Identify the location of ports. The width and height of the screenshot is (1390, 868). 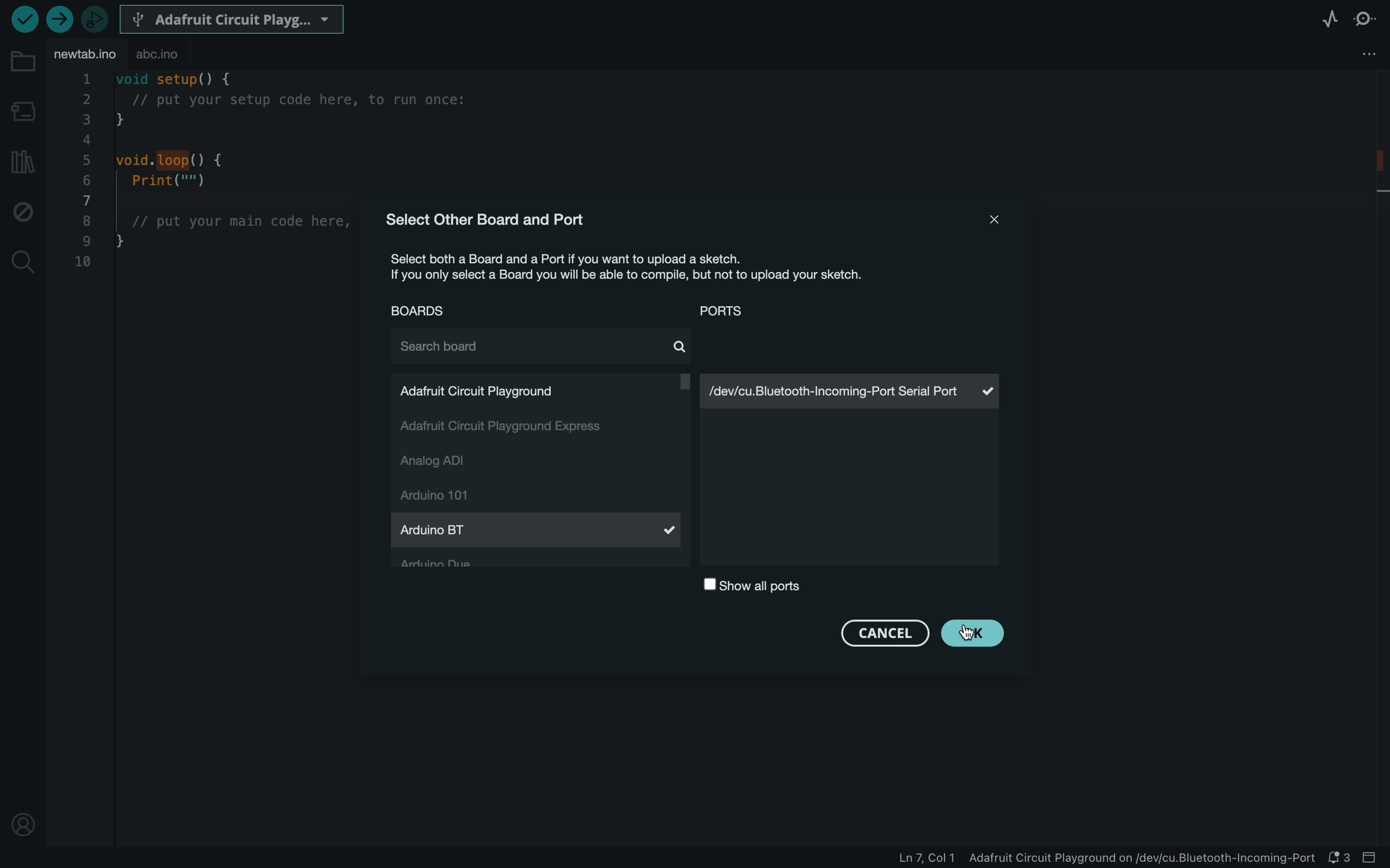
(727, 312).